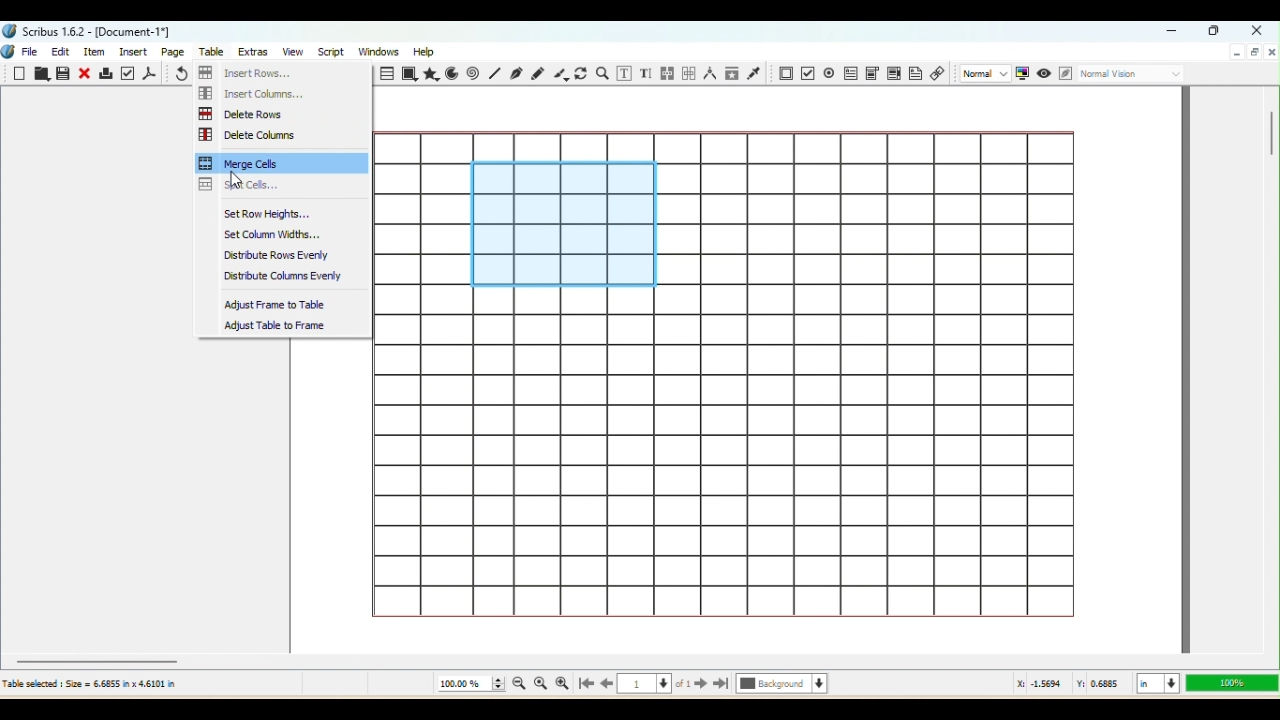 The image size is (1280, 720). I want to click on Insert columns, so click(259, 92).